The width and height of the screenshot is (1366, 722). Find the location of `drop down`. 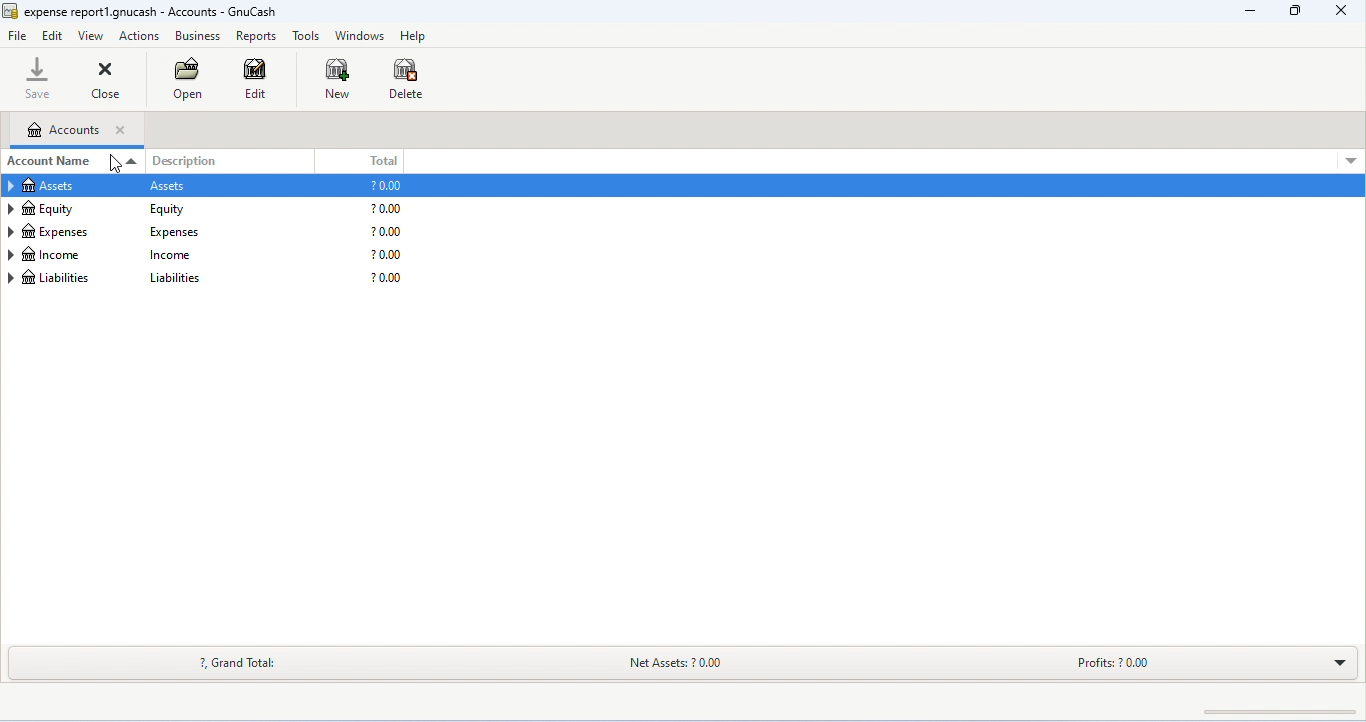

drop down is located at coordinates (1334, 664).